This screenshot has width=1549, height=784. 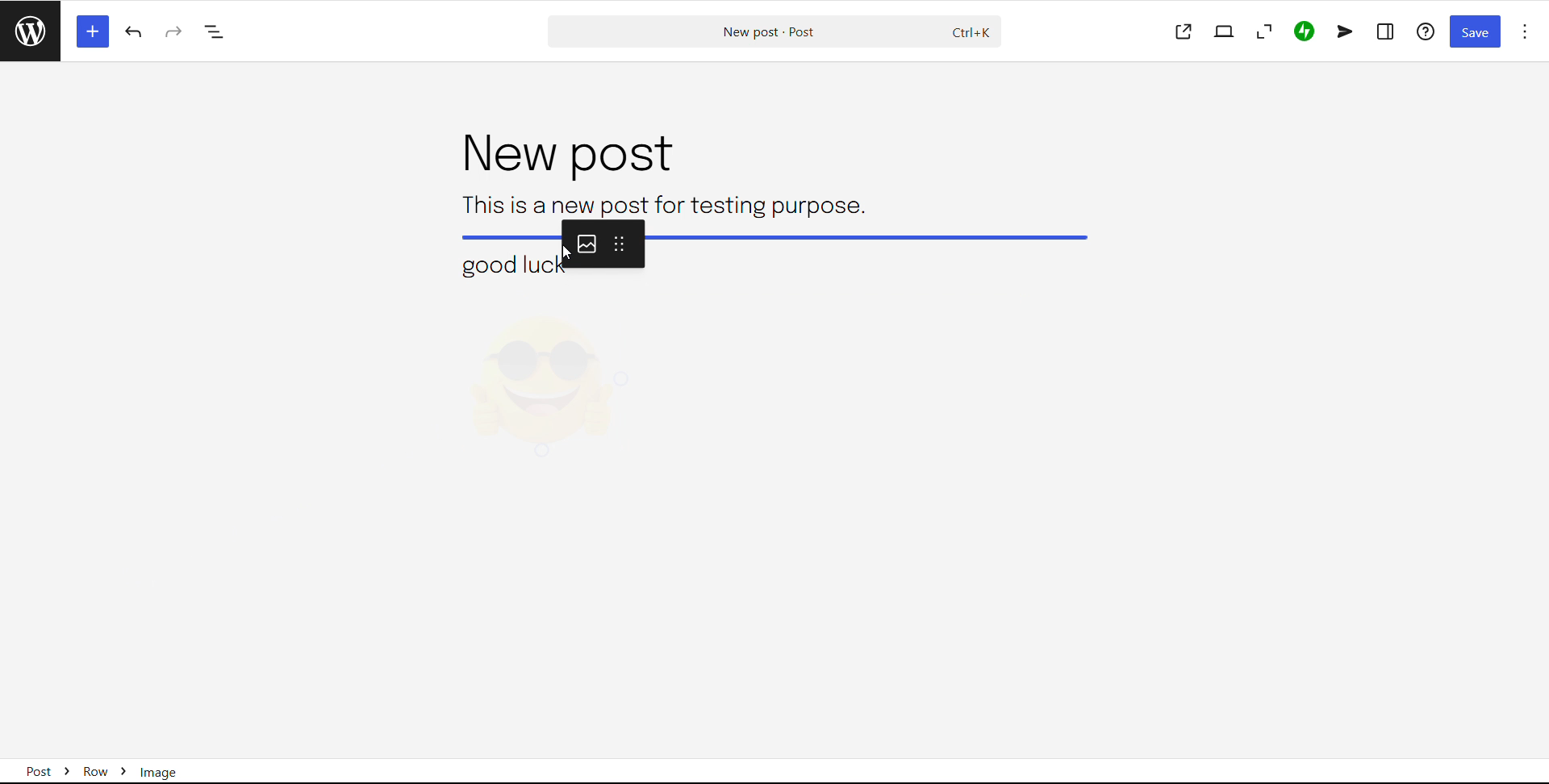 I want to click on settings, so click(x=1386, y=31).